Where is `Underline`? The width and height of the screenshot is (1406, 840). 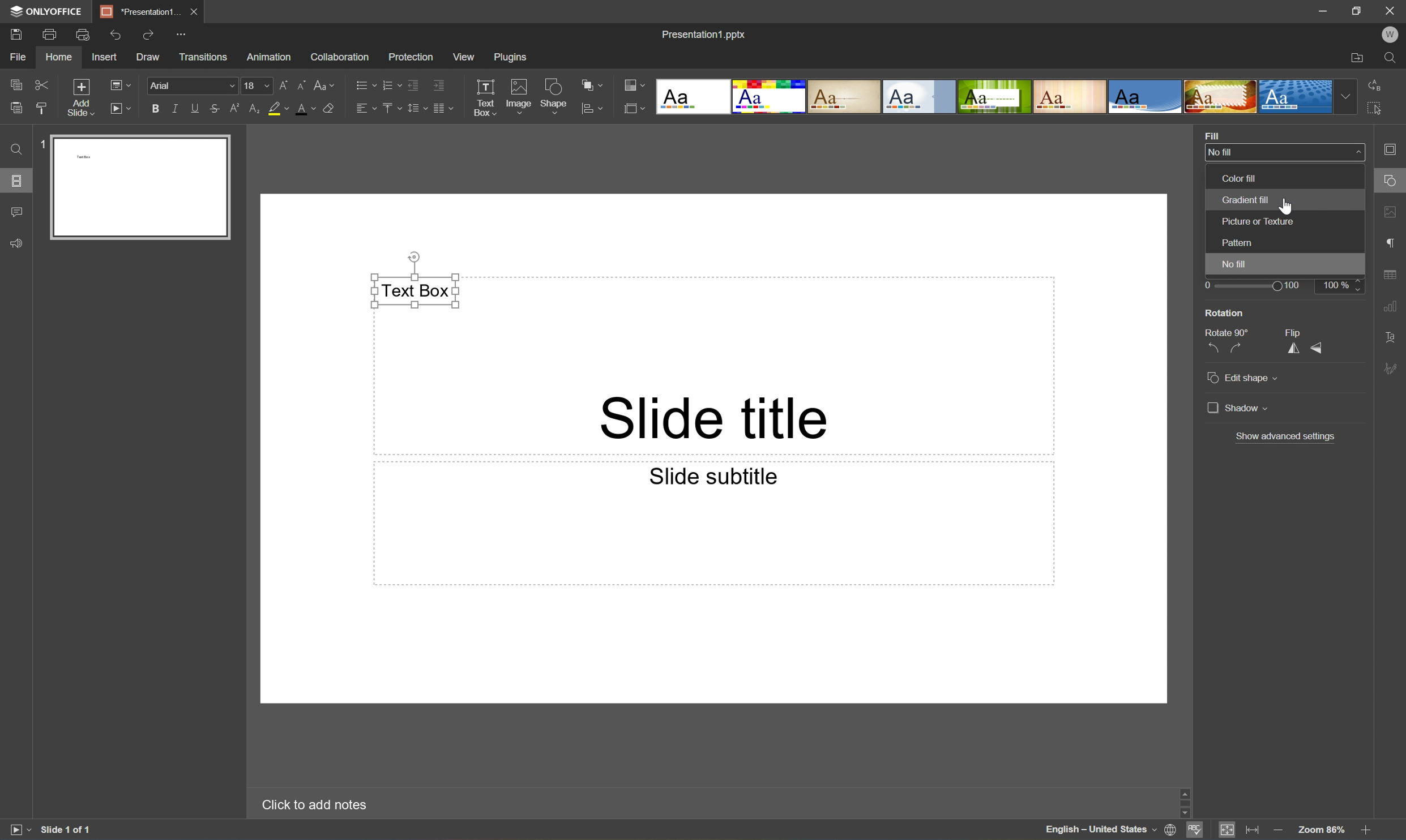
Underline is located at coordinates (193, 109).